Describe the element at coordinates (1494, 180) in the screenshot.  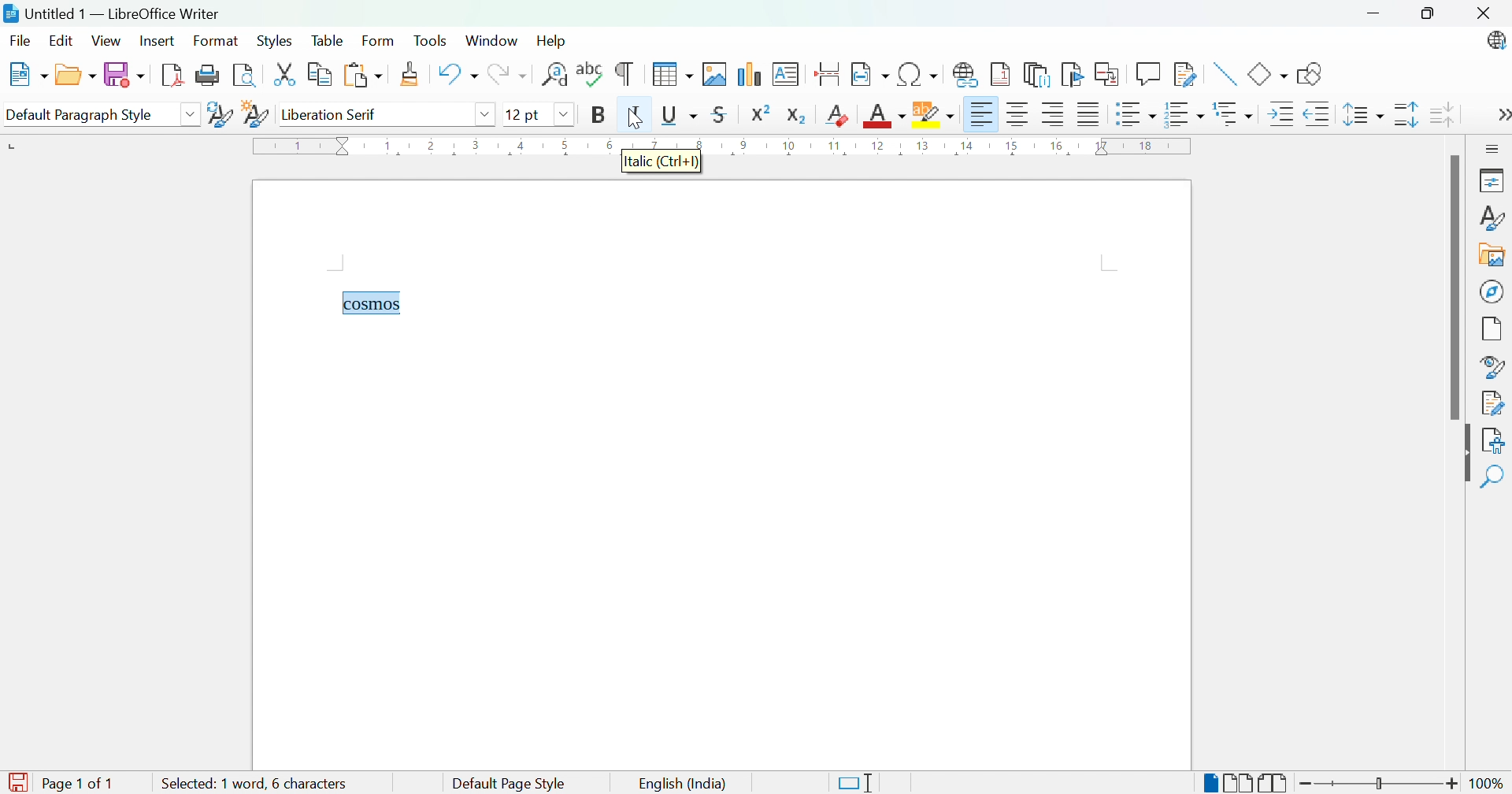
I see `Properties` at that location.